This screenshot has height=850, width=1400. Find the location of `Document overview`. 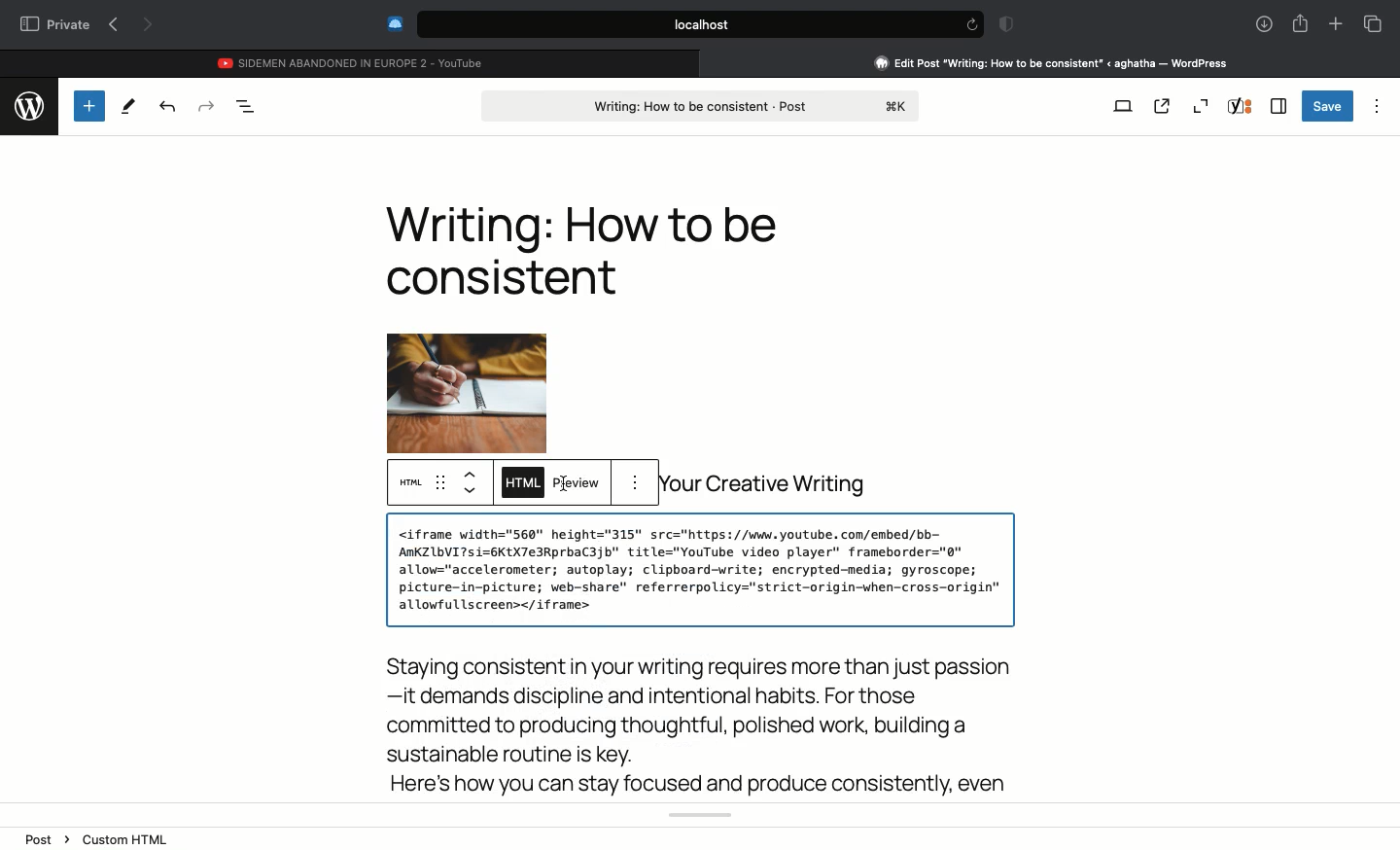

Document overview is located at coordinates (247, 106).